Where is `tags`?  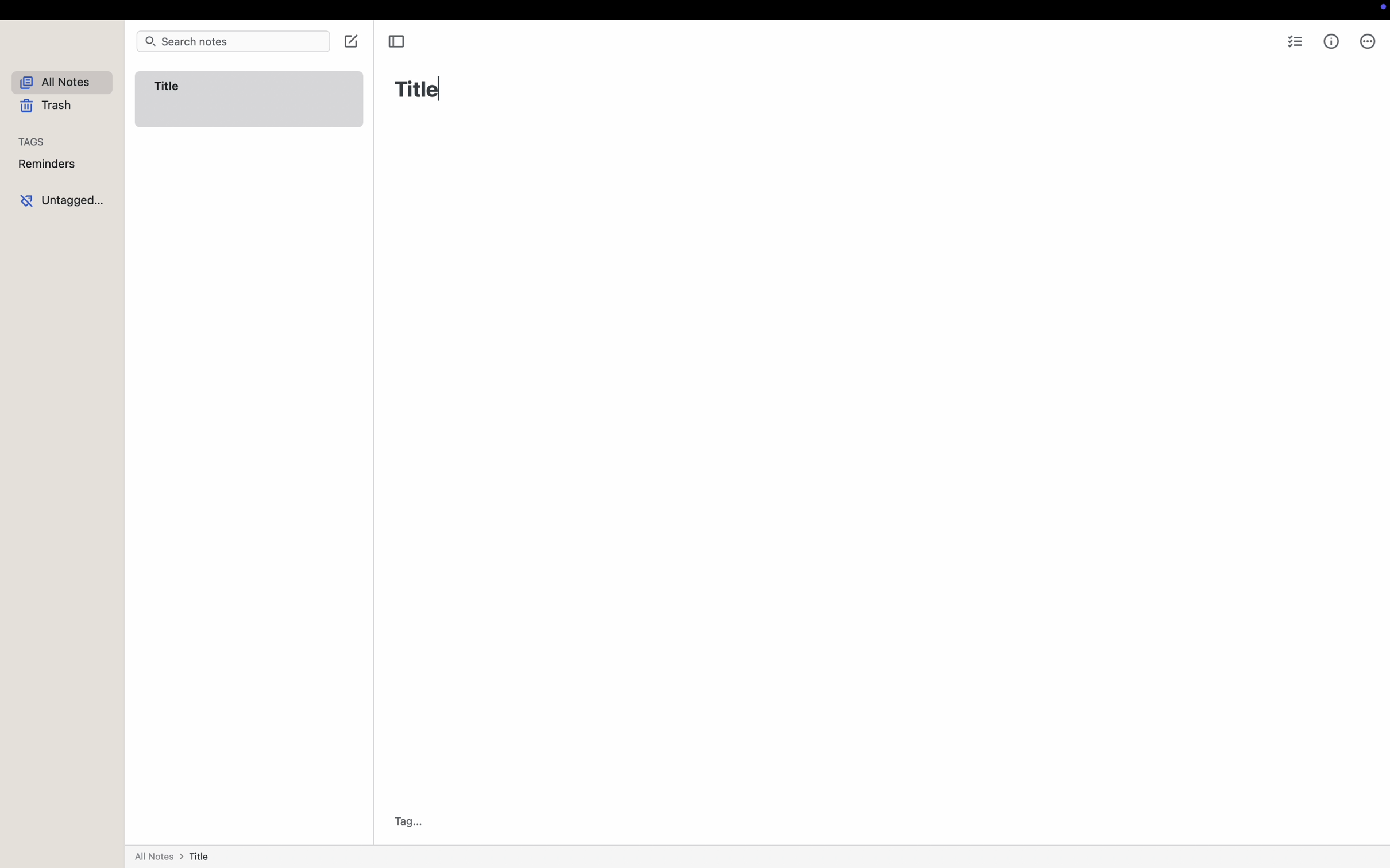
tags is located at coordinates (61, 142).